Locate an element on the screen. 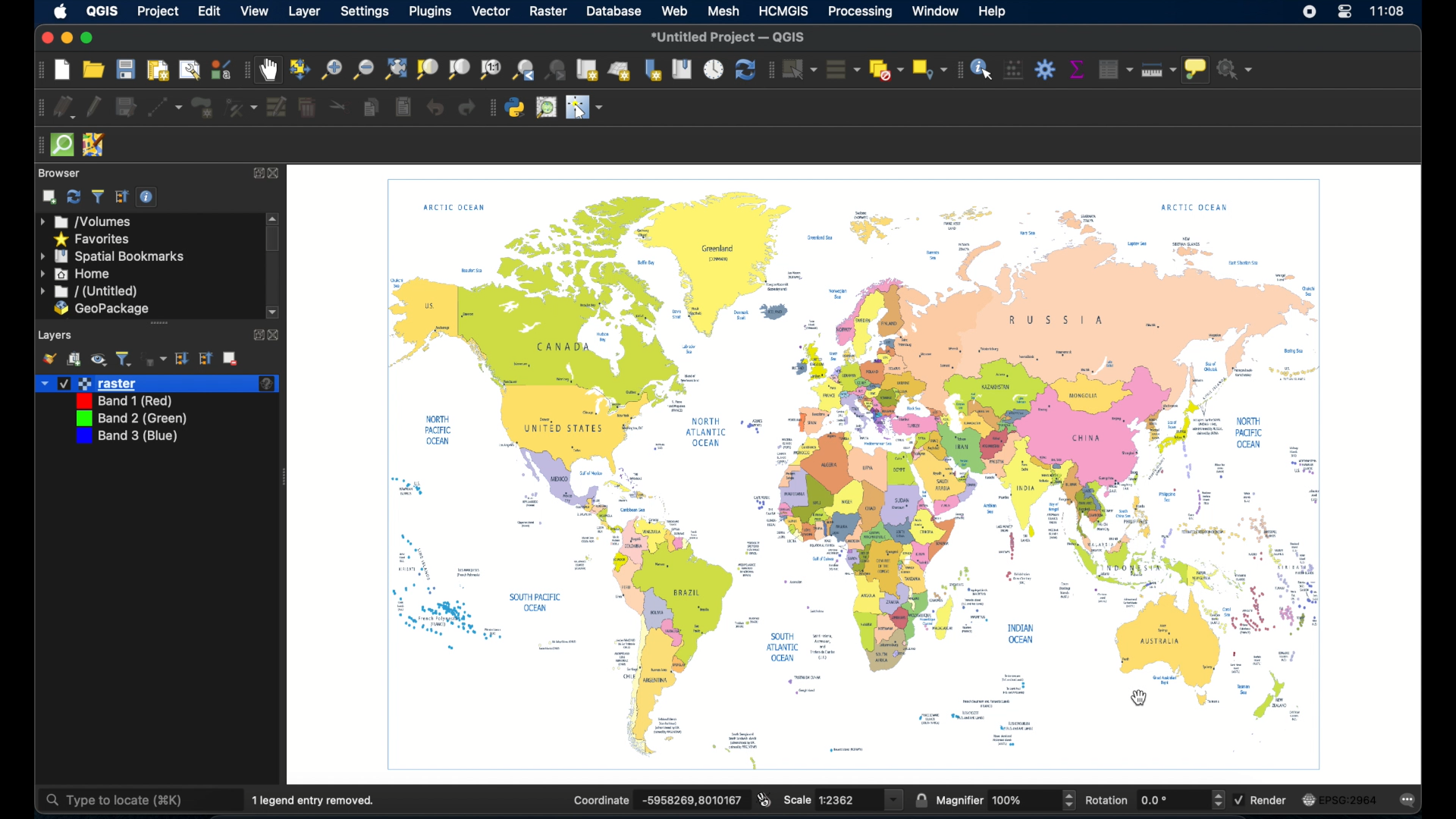  scroll box is located at coordinates (275, 240).